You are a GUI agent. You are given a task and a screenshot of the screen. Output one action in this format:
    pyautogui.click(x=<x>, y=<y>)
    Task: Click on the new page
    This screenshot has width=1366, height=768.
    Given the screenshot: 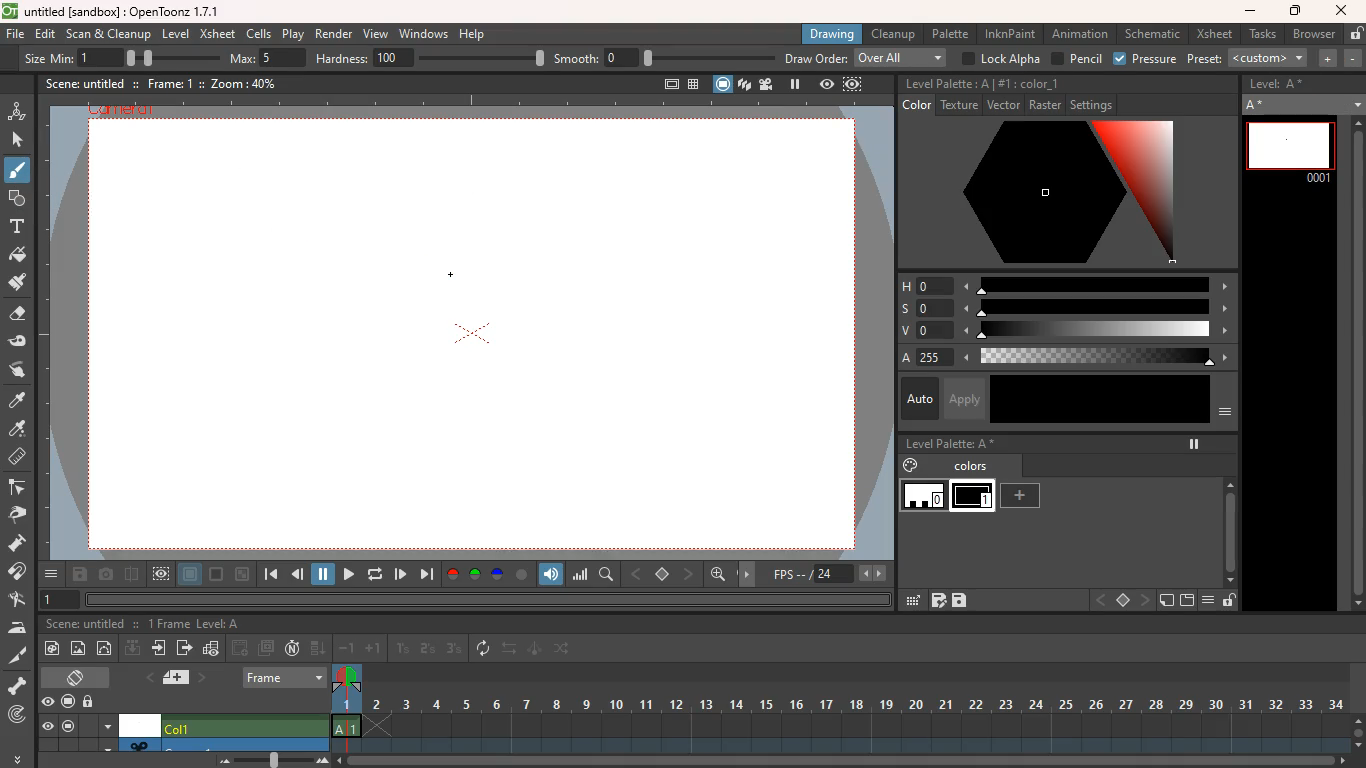 What is the action you would take?
    pyautogui.click(x=1166, y=601)
    